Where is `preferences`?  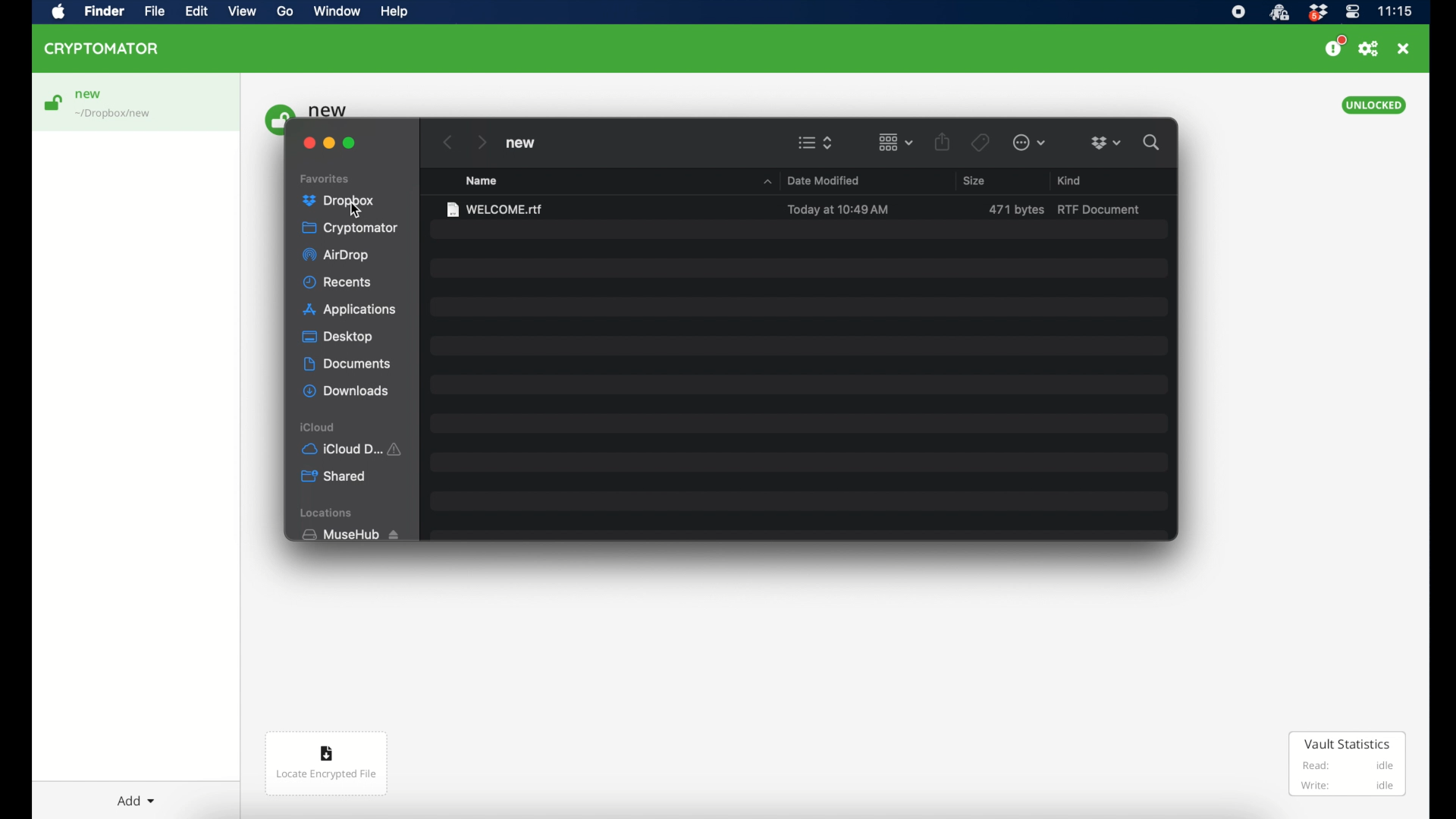 preferences is located at coordinates (1369, 49).